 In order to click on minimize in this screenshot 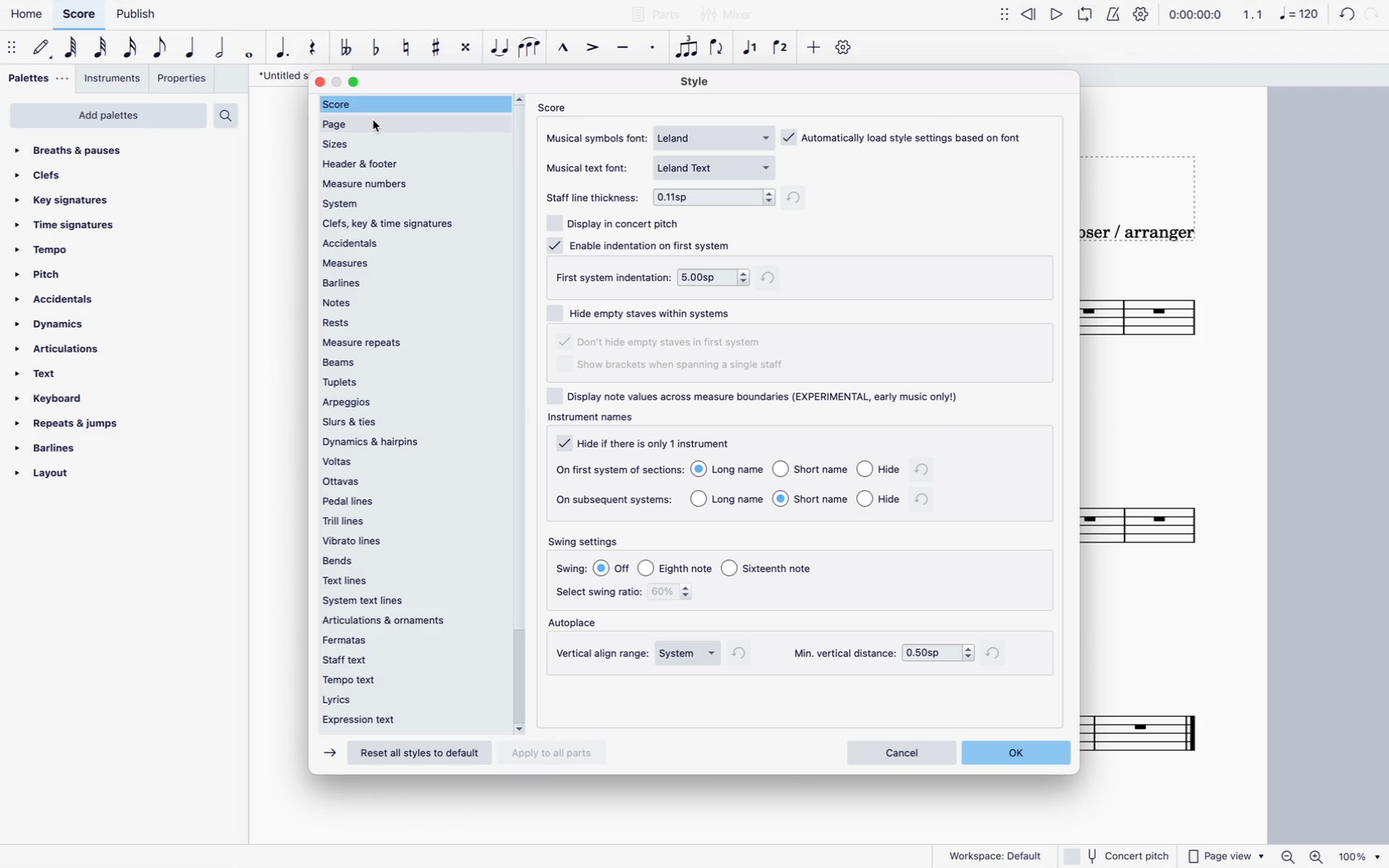, I will do `click(338, 81)`.